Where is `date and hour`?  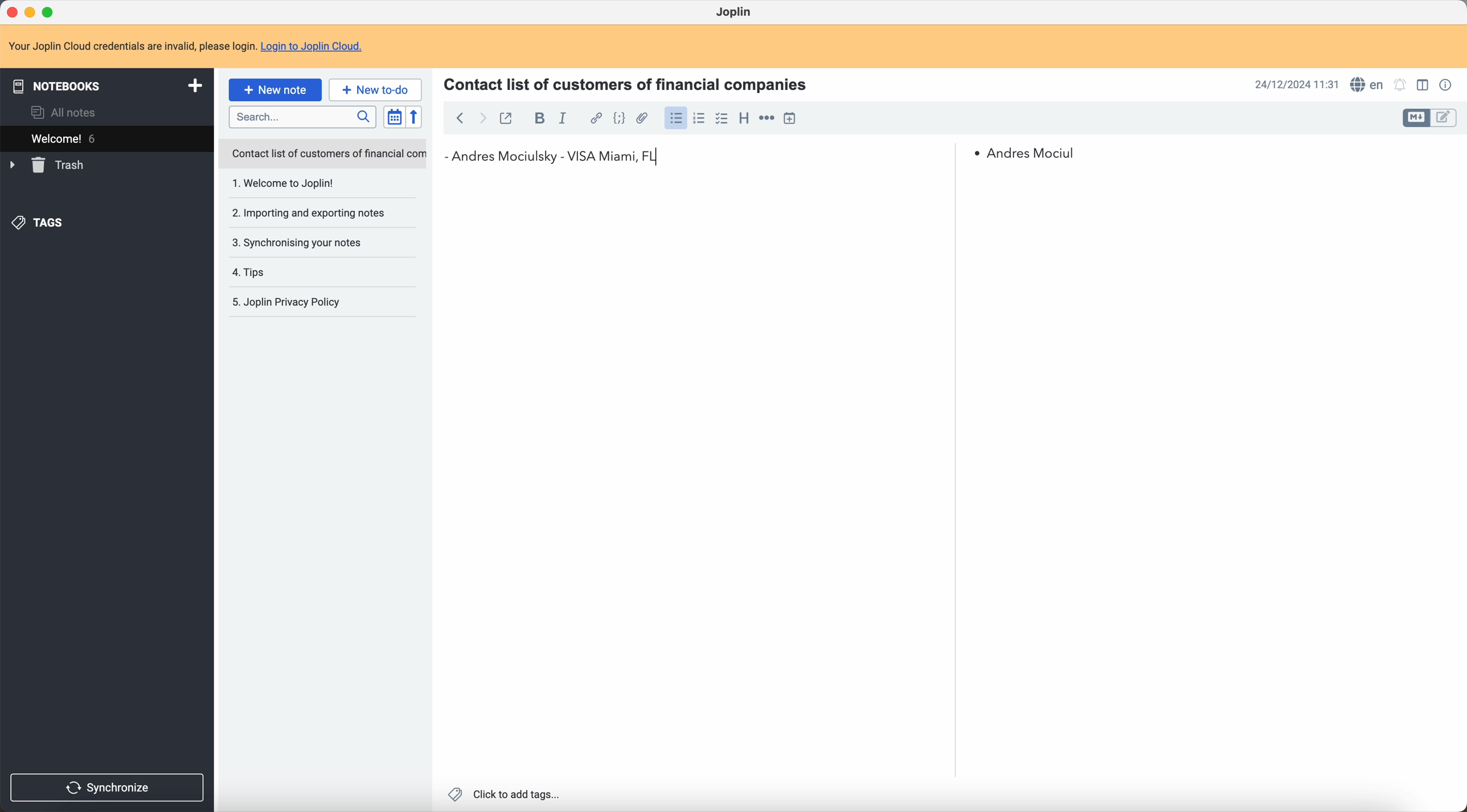 date and hour is located at coordinates (1296, 84).